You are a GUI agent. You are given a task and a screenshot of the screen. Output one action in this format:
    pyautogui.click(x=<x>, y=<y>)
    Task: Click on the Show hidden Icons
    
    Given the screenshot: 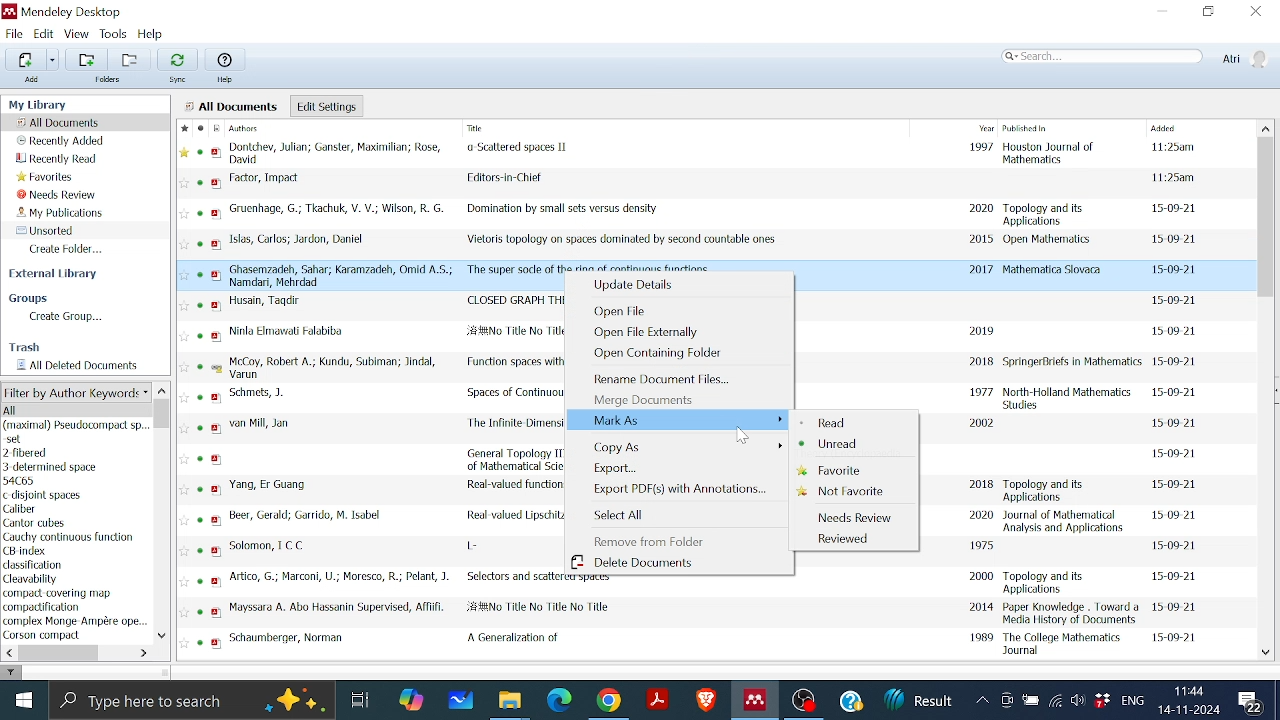 What is the action you would take?
    pyautogui.click(x=984, y=703)
    